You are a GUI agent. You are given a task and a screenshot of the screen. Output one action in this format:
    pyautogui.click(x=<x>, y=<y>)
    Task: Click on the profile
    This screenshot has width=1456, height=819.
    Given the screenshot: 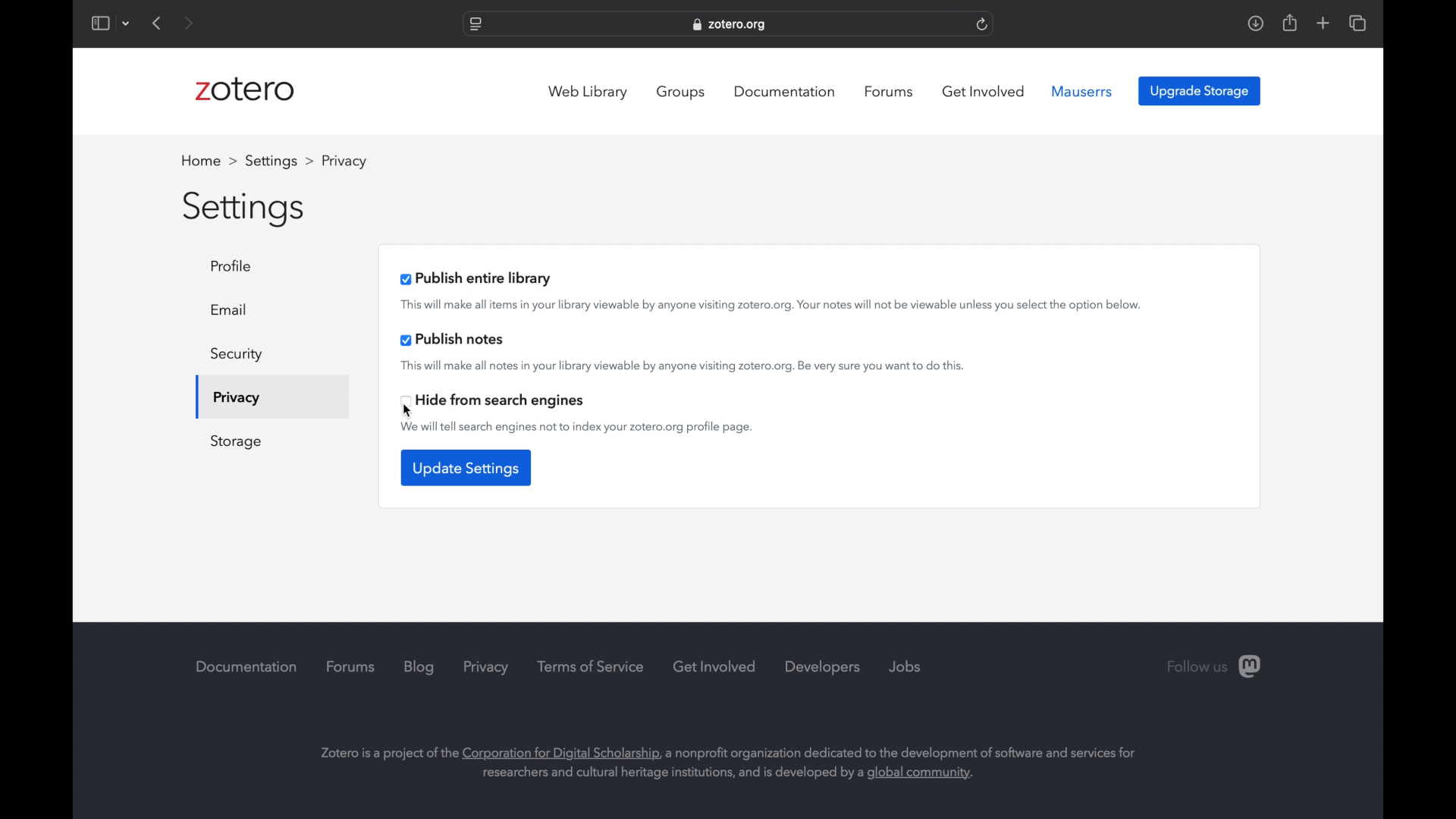 What is the action you would take?
    pyautogui.click(x=236, y=265)
    